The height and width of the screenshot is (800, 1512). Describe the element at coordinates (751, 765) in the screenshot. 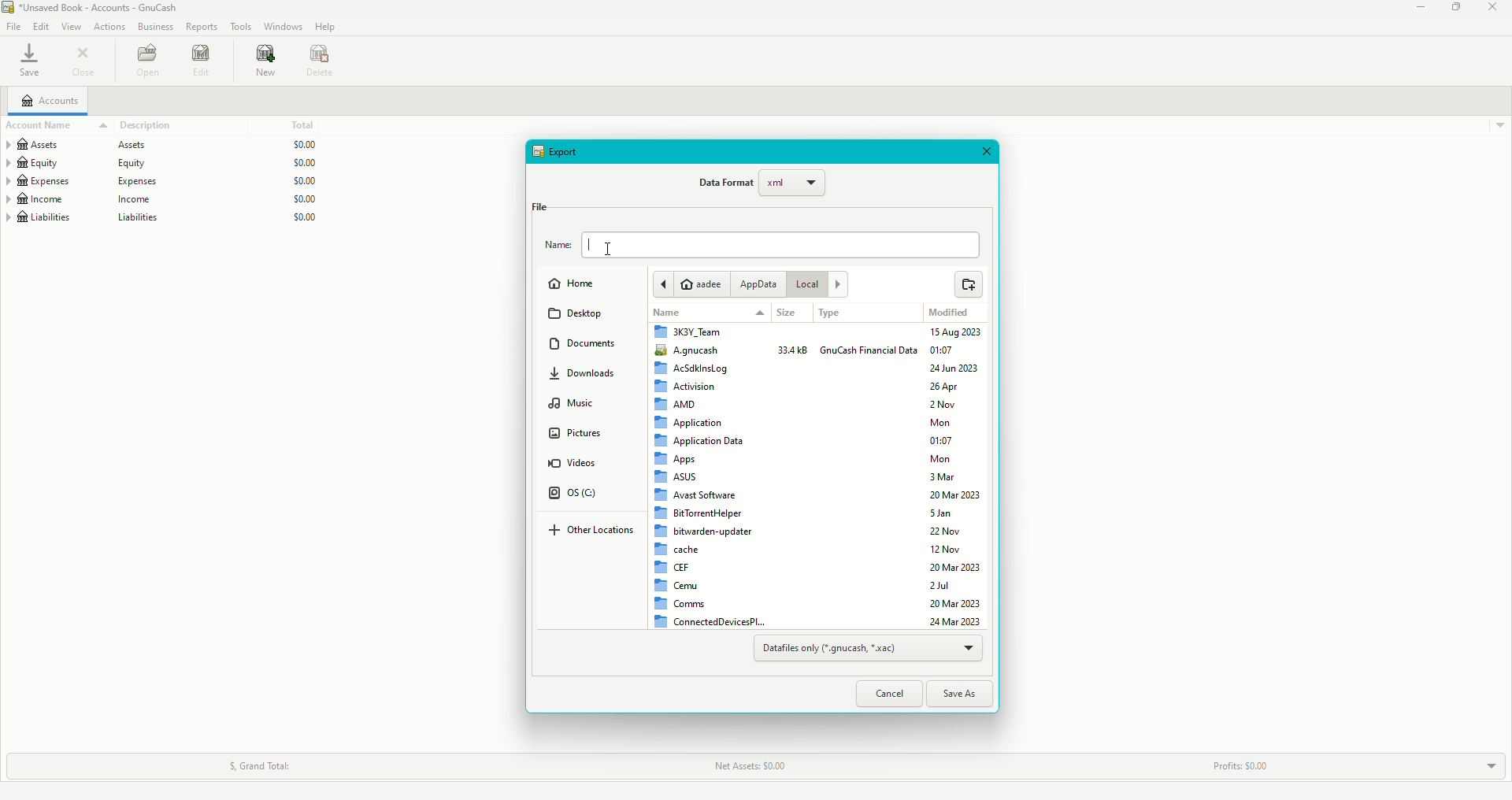

I see `Net assets` at that location.